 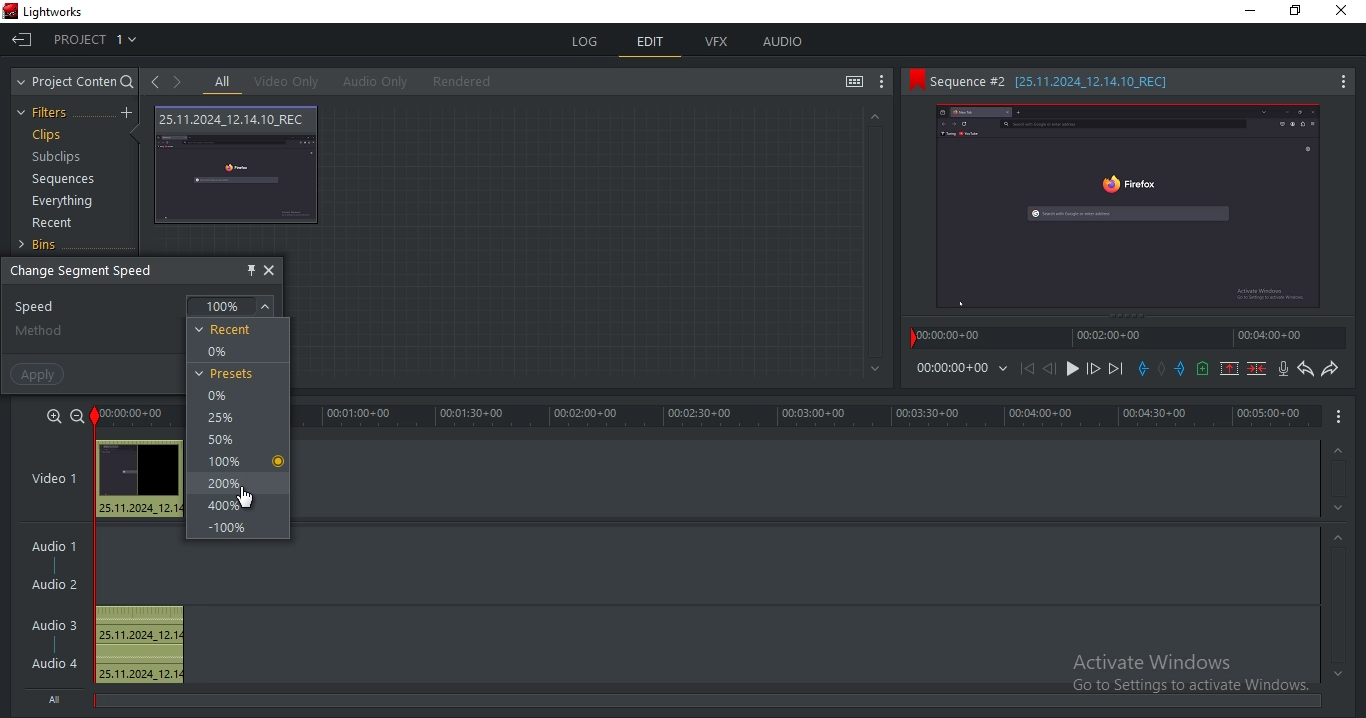 What do you see at coordinates (1282, 370) in the screenshot?
I see `record audio` at bounding box center [1282, 370].